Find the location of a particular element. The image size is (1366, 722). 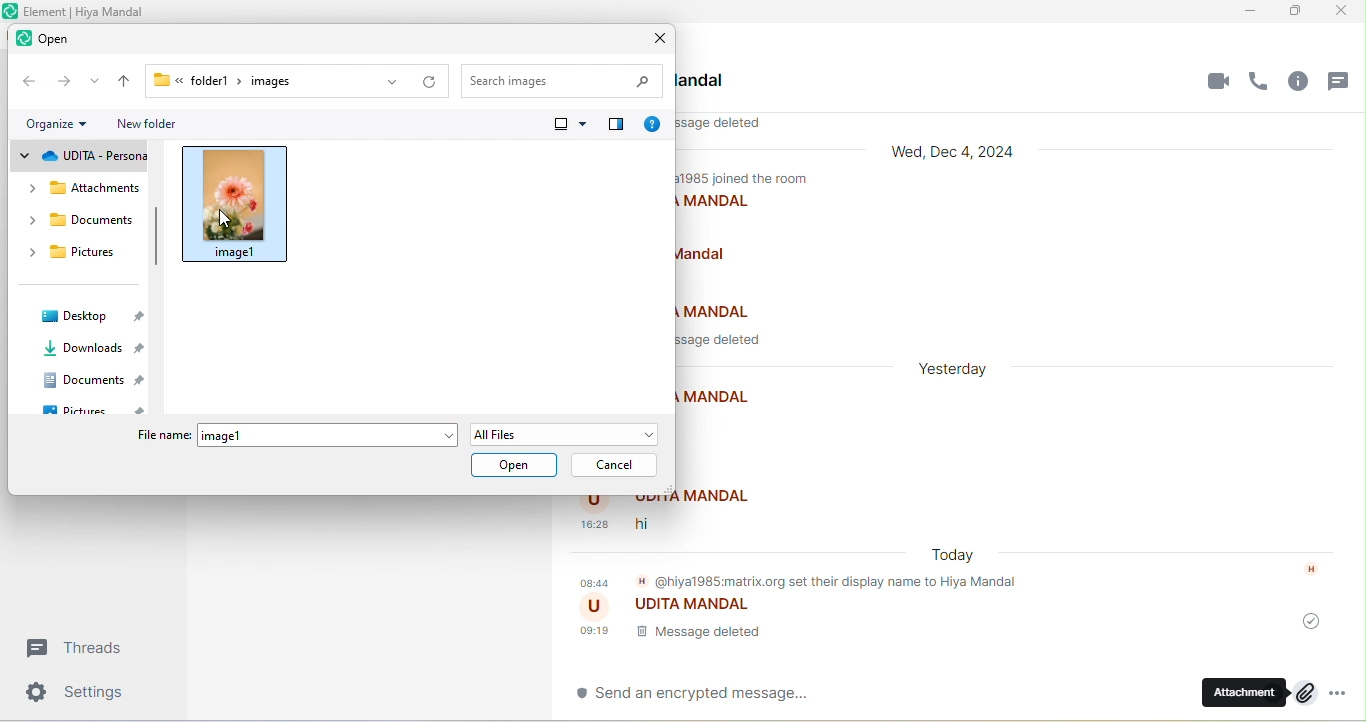

filename is located at coordinates (160, 436).